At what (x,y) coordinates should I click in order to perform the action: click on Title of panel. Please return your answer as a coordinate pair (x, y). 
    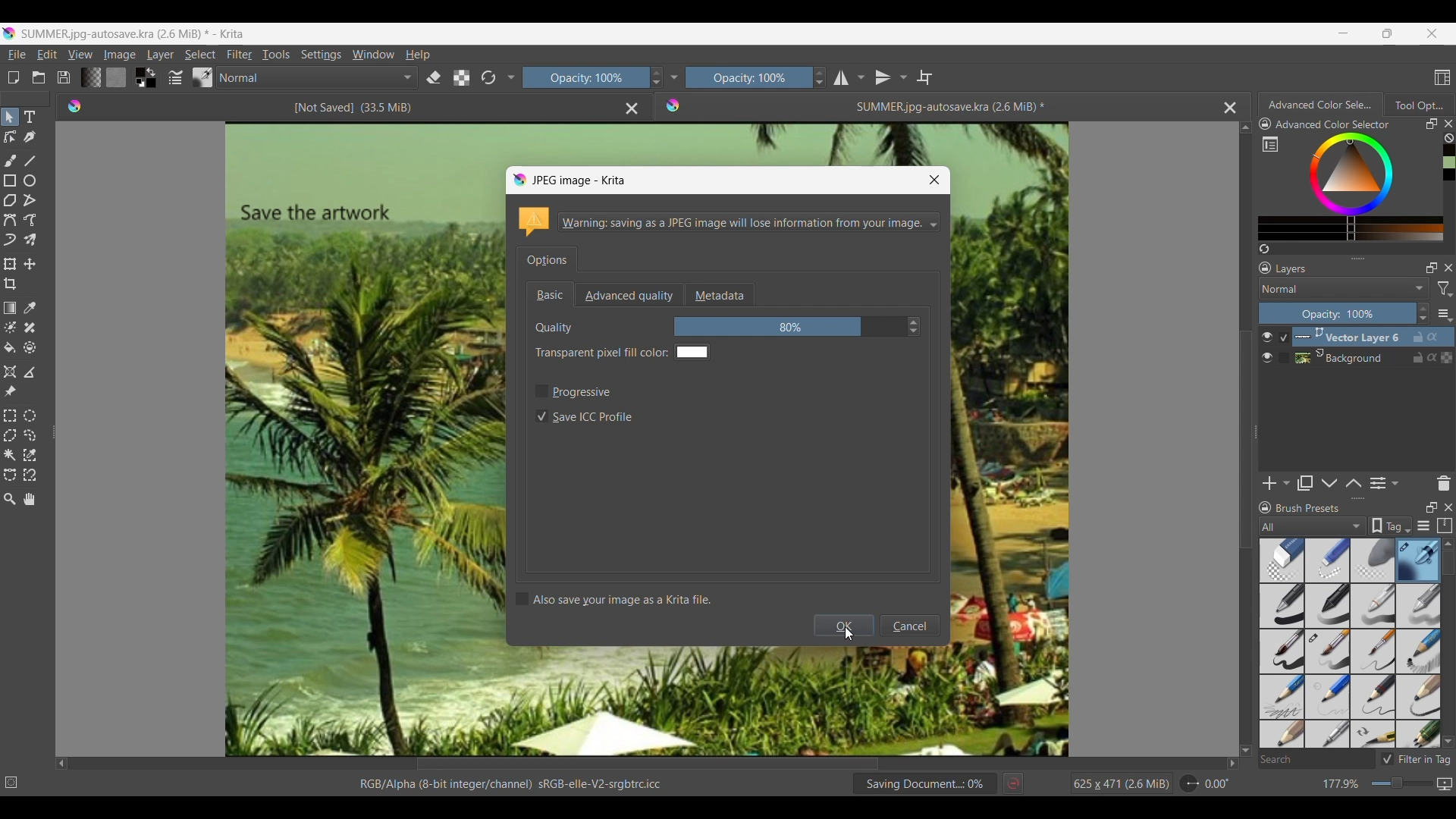
    Looking at the image, I should click on (1308, 508).